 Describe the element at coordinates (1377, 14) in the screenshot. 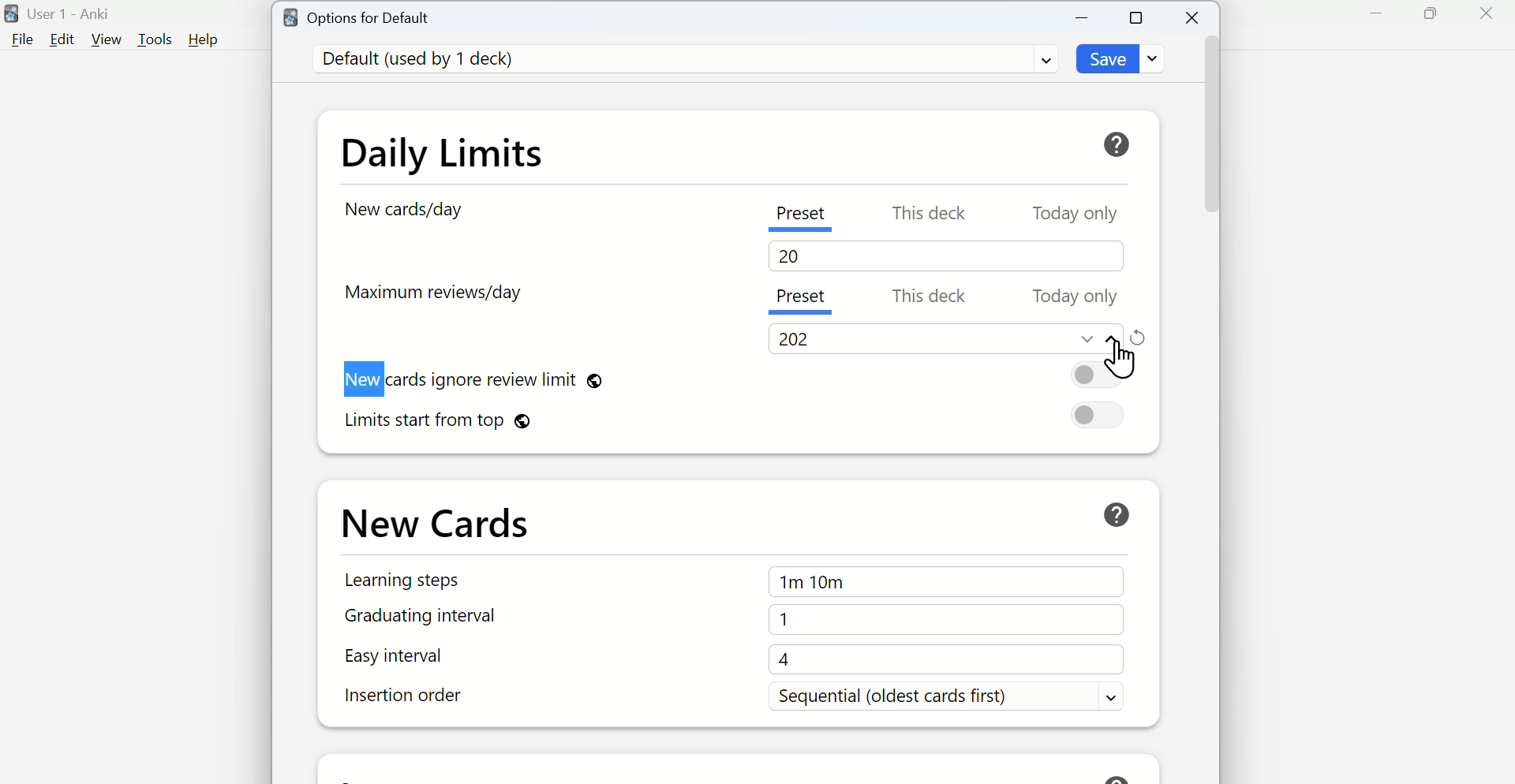

I see `Minimize` at that location.